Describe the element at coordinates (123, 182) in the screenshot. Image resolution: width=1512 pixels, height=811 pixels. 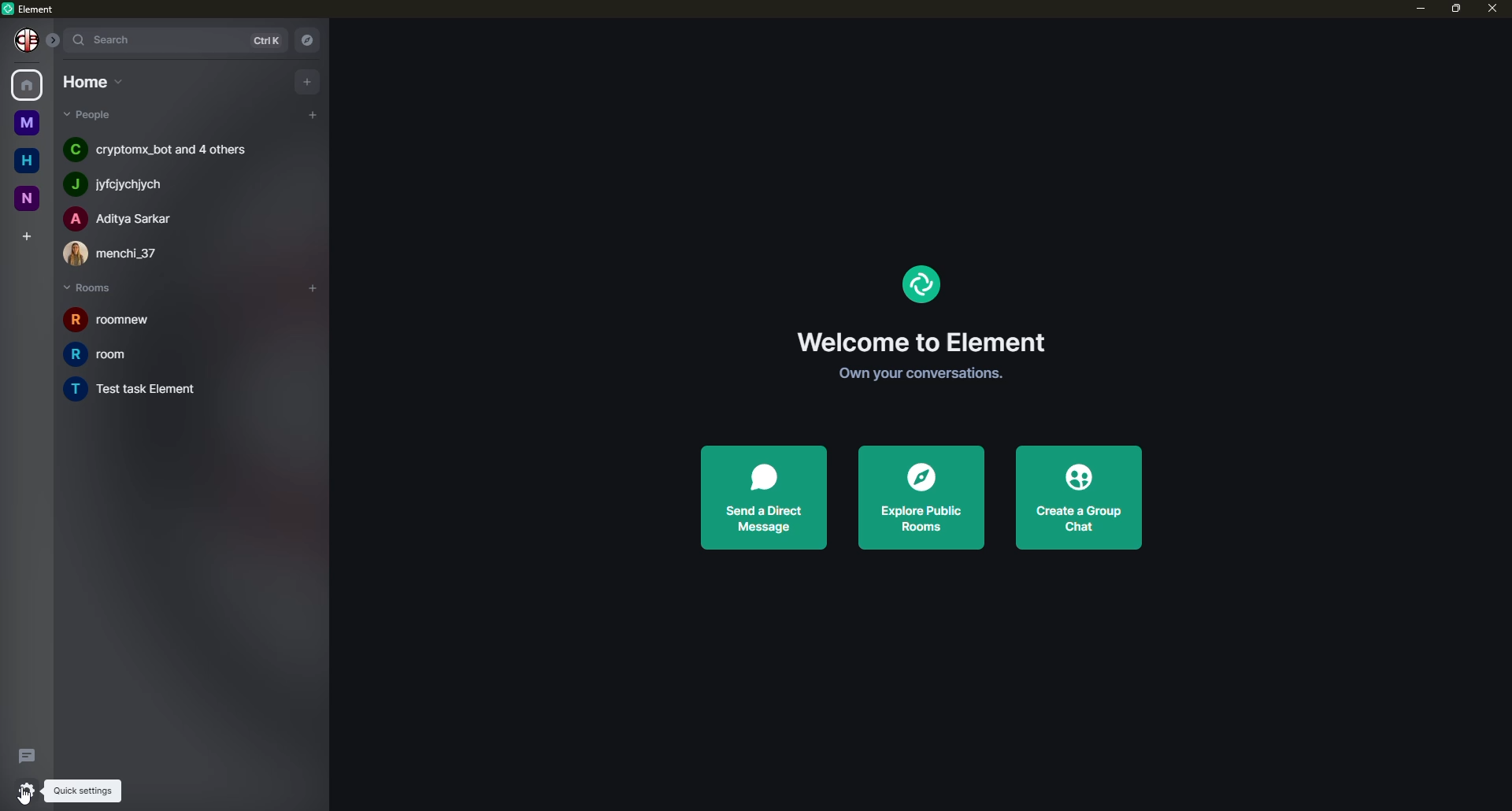
I see `people` at that location.